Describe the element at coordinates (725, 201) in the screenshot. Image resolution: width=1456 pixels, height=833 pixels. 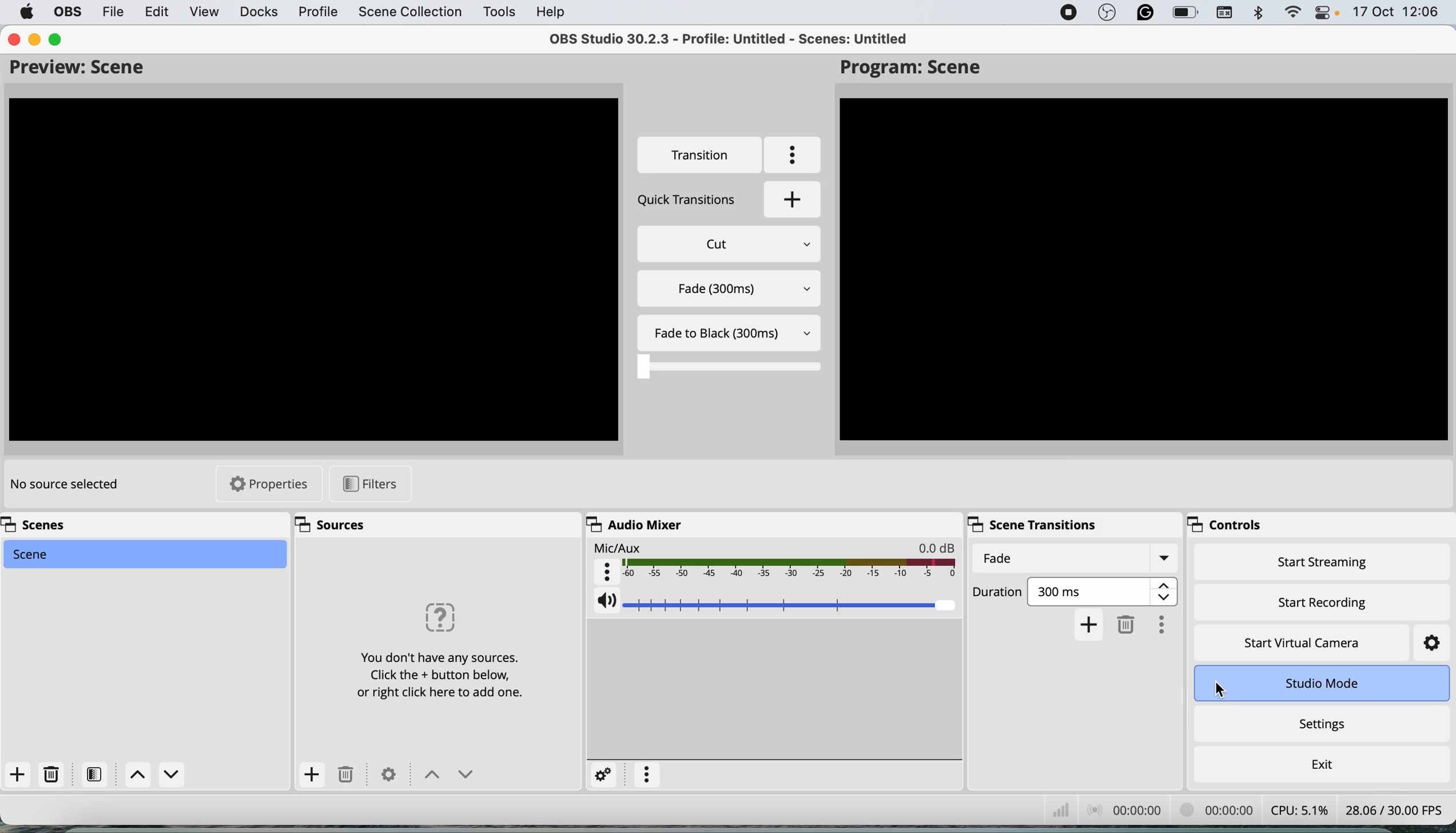
I see `quick transition` at that location.